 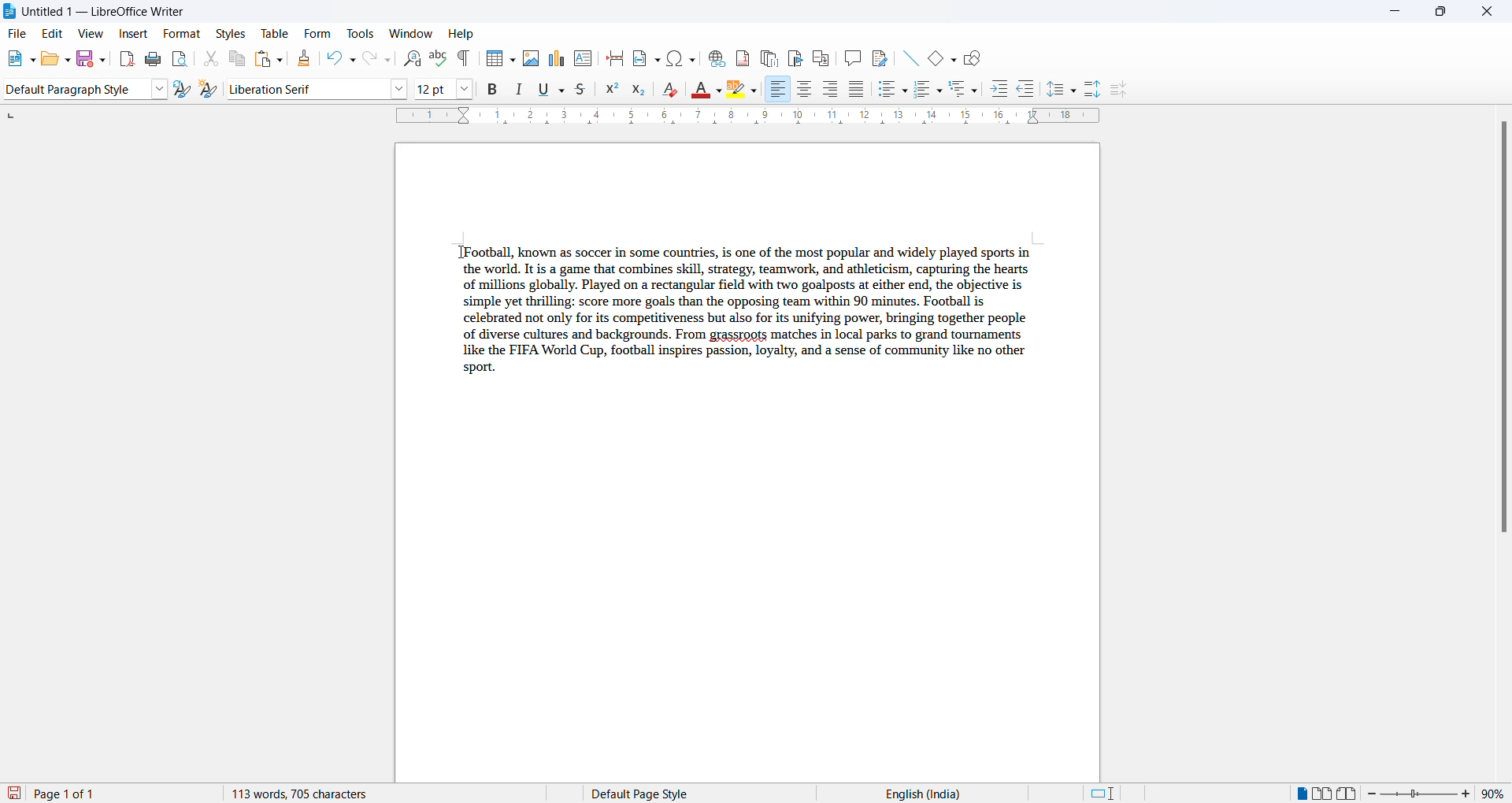 I want to click on character highlighting, so click(x=738, y=90).